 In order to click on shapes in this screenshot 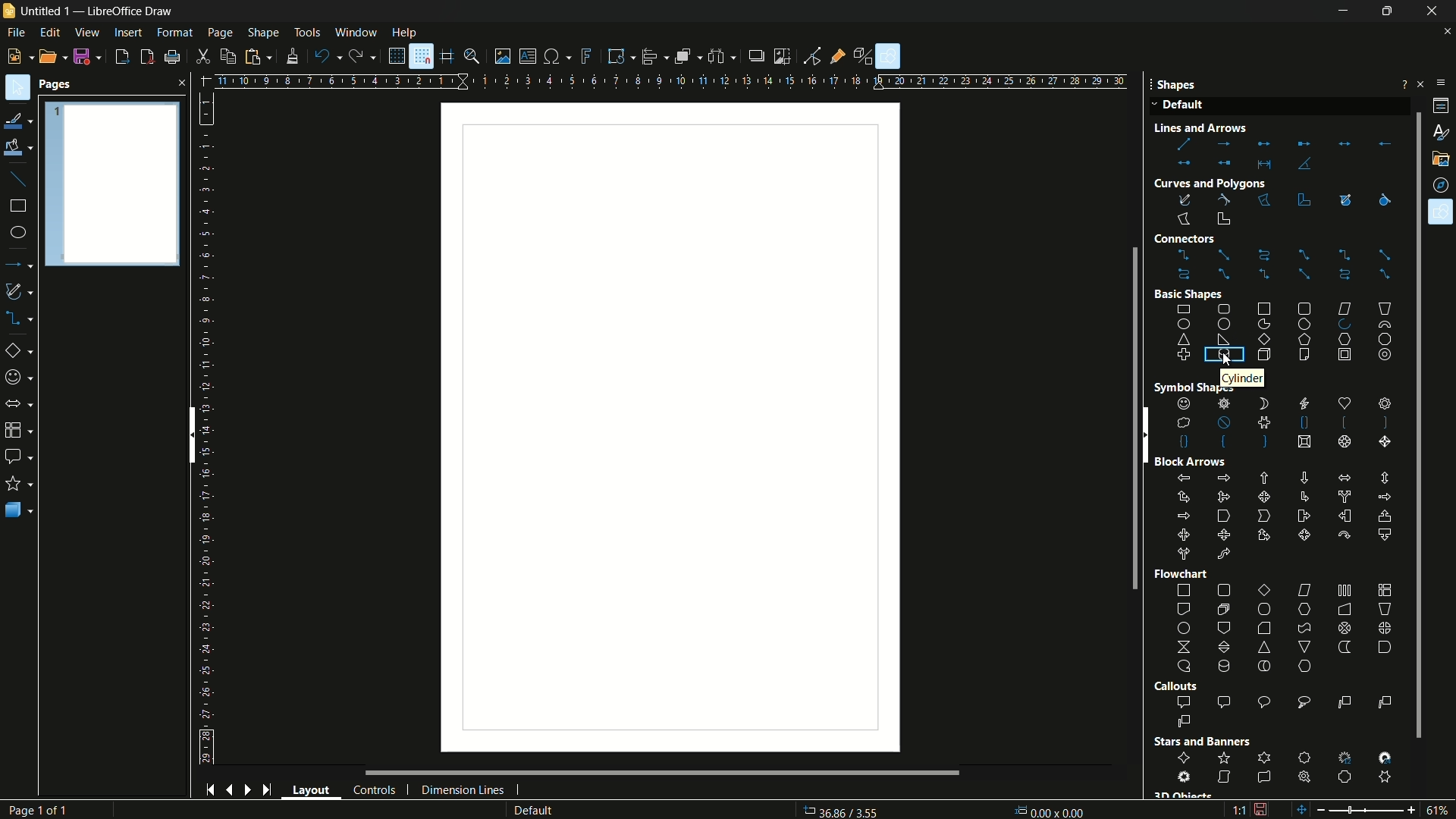, I will do `click(1441, 212)`.